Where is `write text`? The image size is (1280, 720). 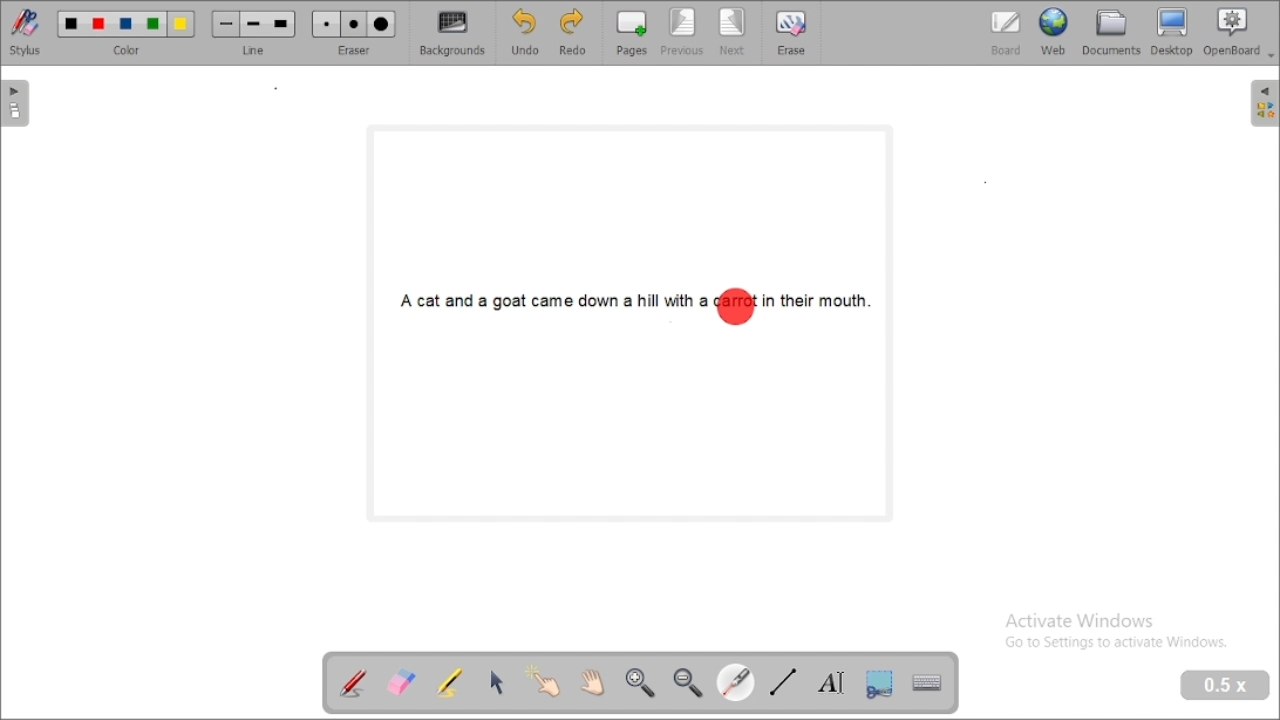 write text is located at coordinates (830, 682).